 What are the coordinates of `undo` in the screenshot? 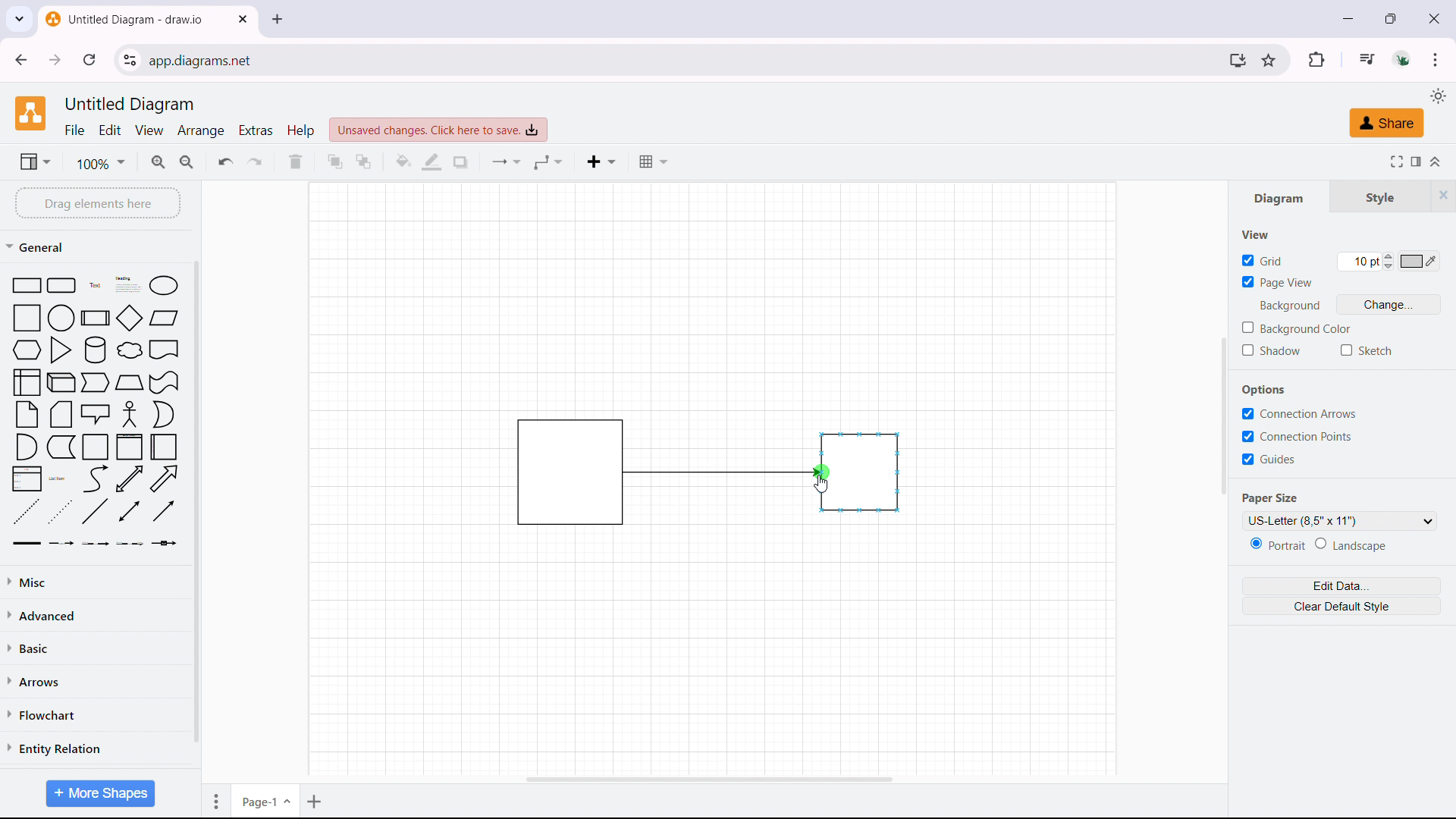 It's located at (226, 161).